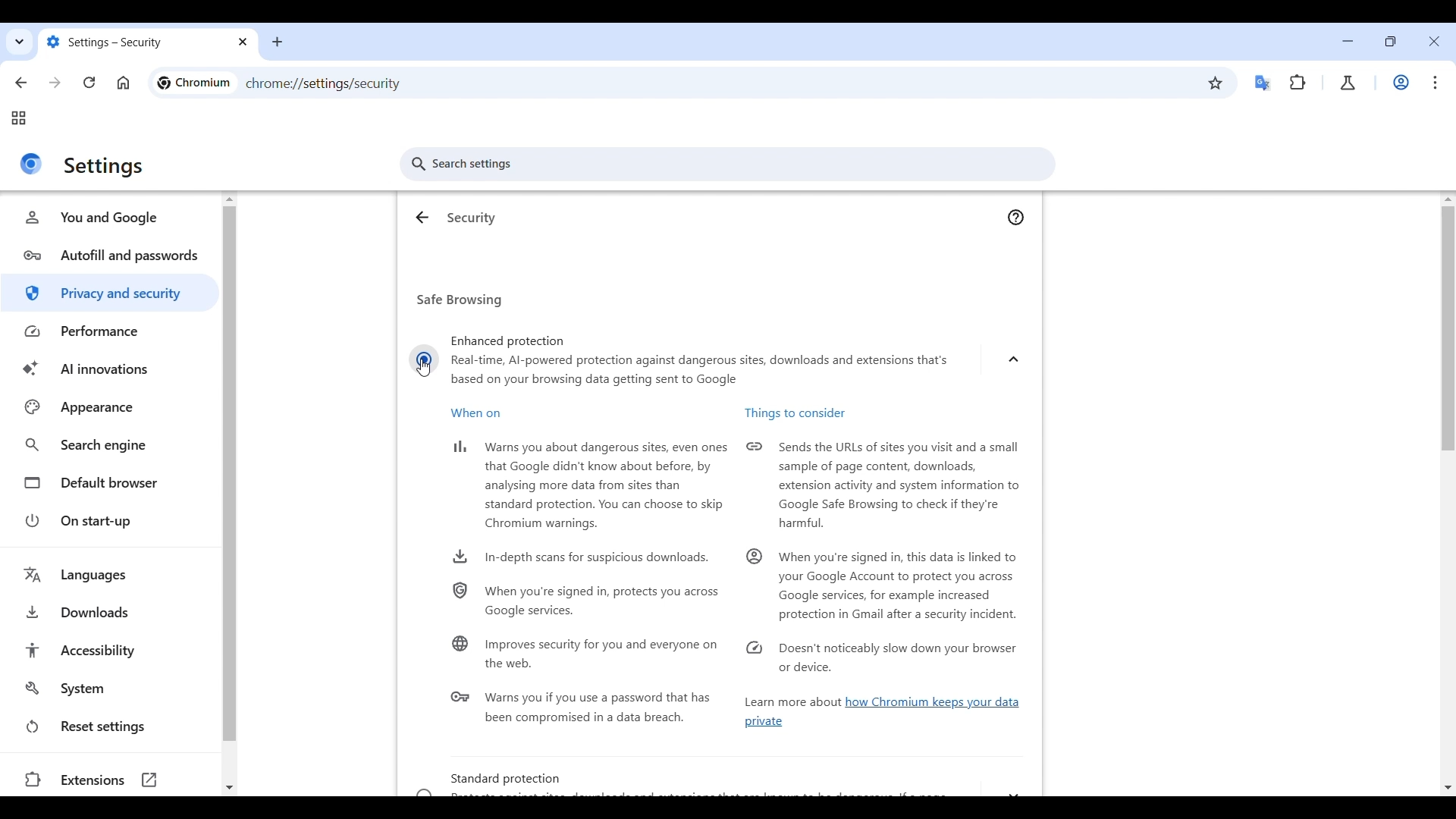 The width and height of the screenshot is (1456, 819). I want to click on Extensions, so click(1298, 83).